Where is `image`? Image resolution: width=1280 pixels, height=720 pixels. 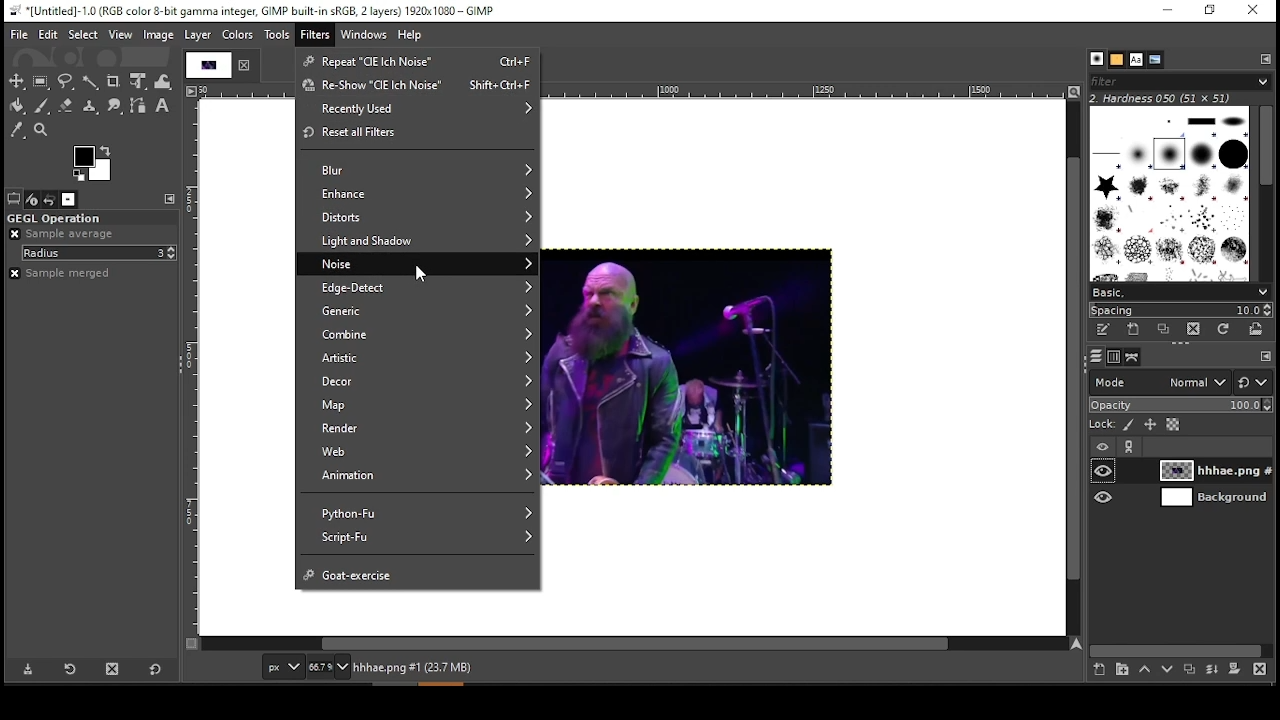 image is located at coordinates (159, 34).